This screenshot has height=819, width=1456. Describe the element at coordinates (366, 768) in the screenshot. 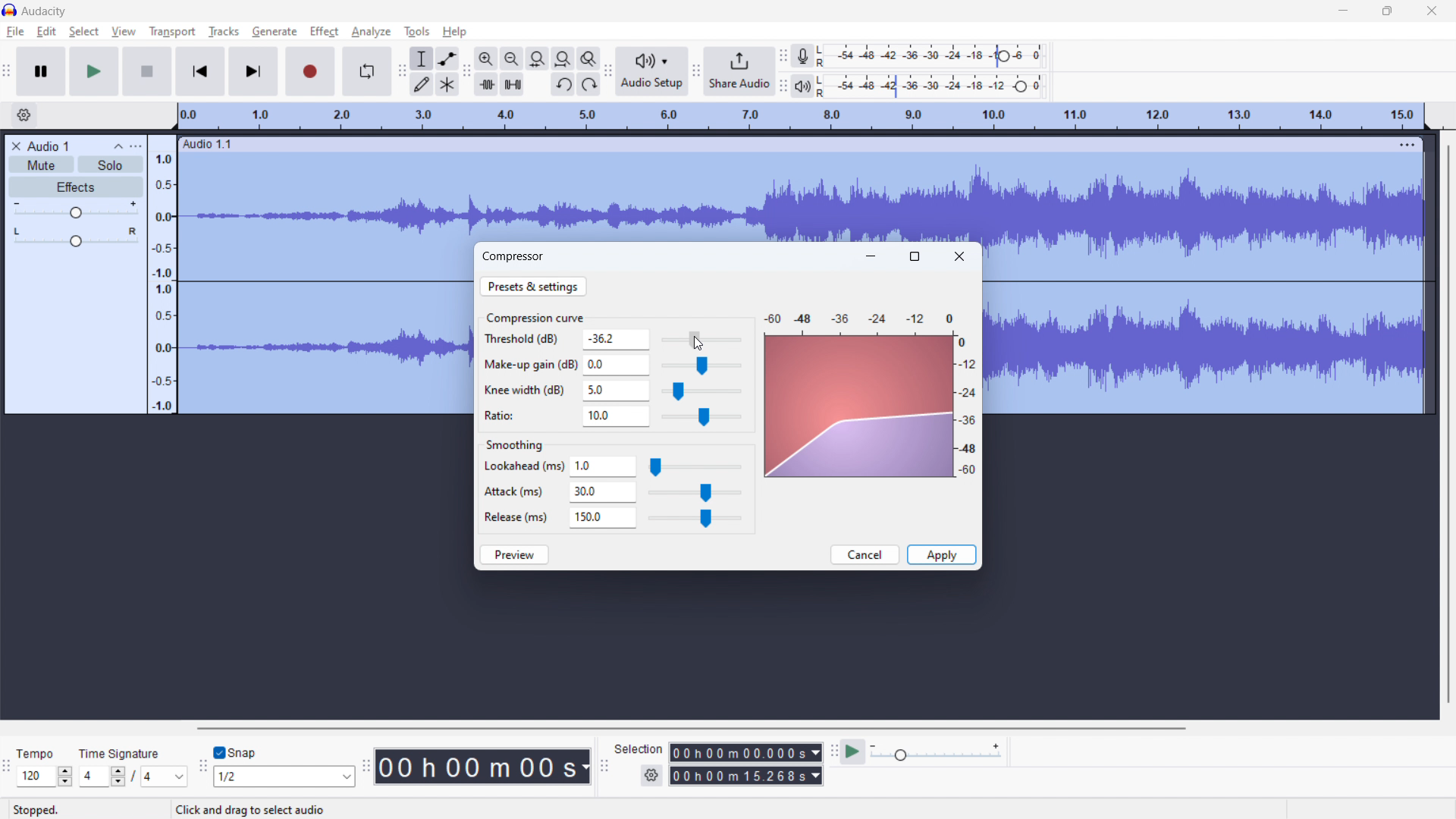

I see `time toolbar` at that location.